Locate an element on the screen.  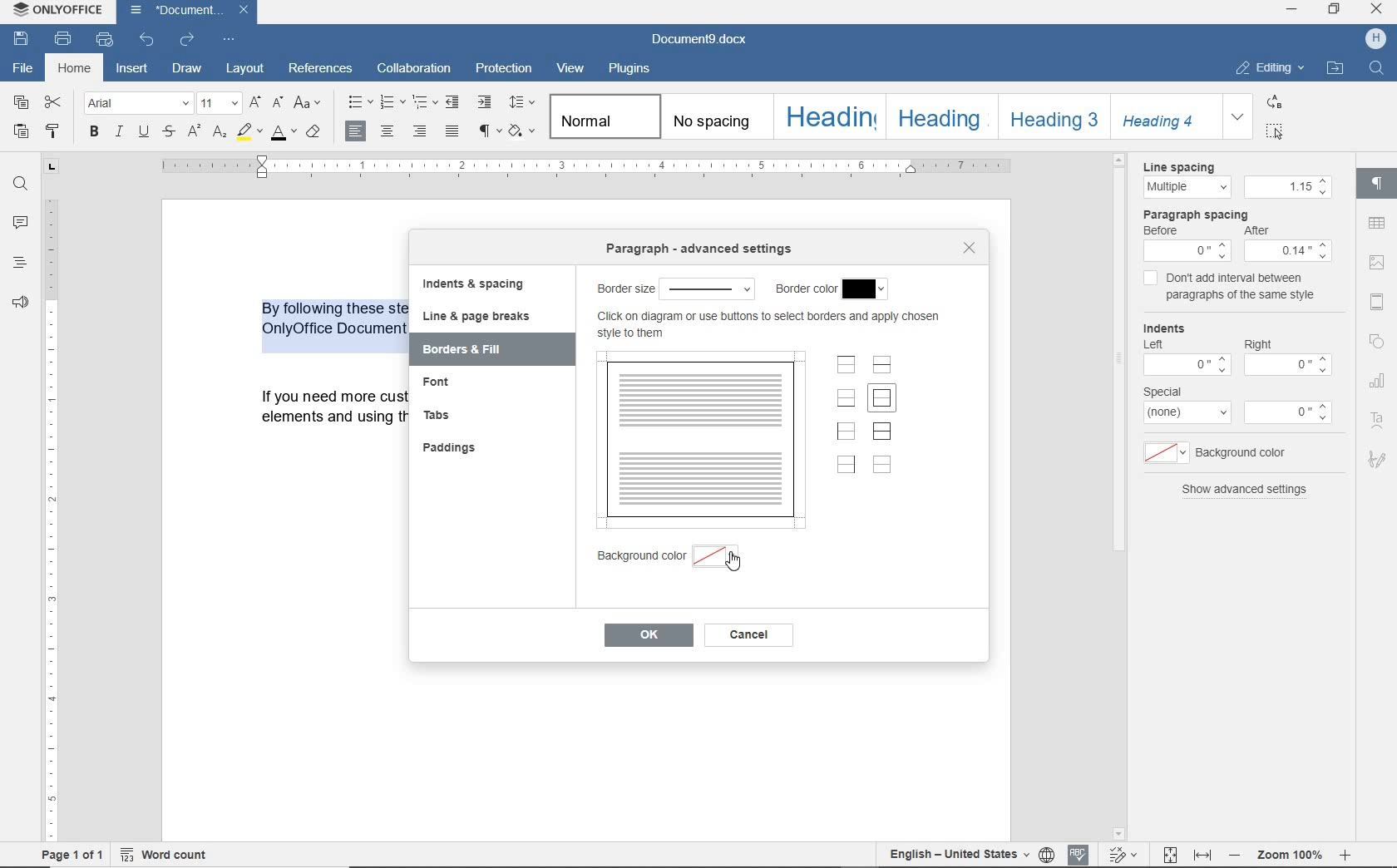
set left border only is located at coordinates (845, 432).